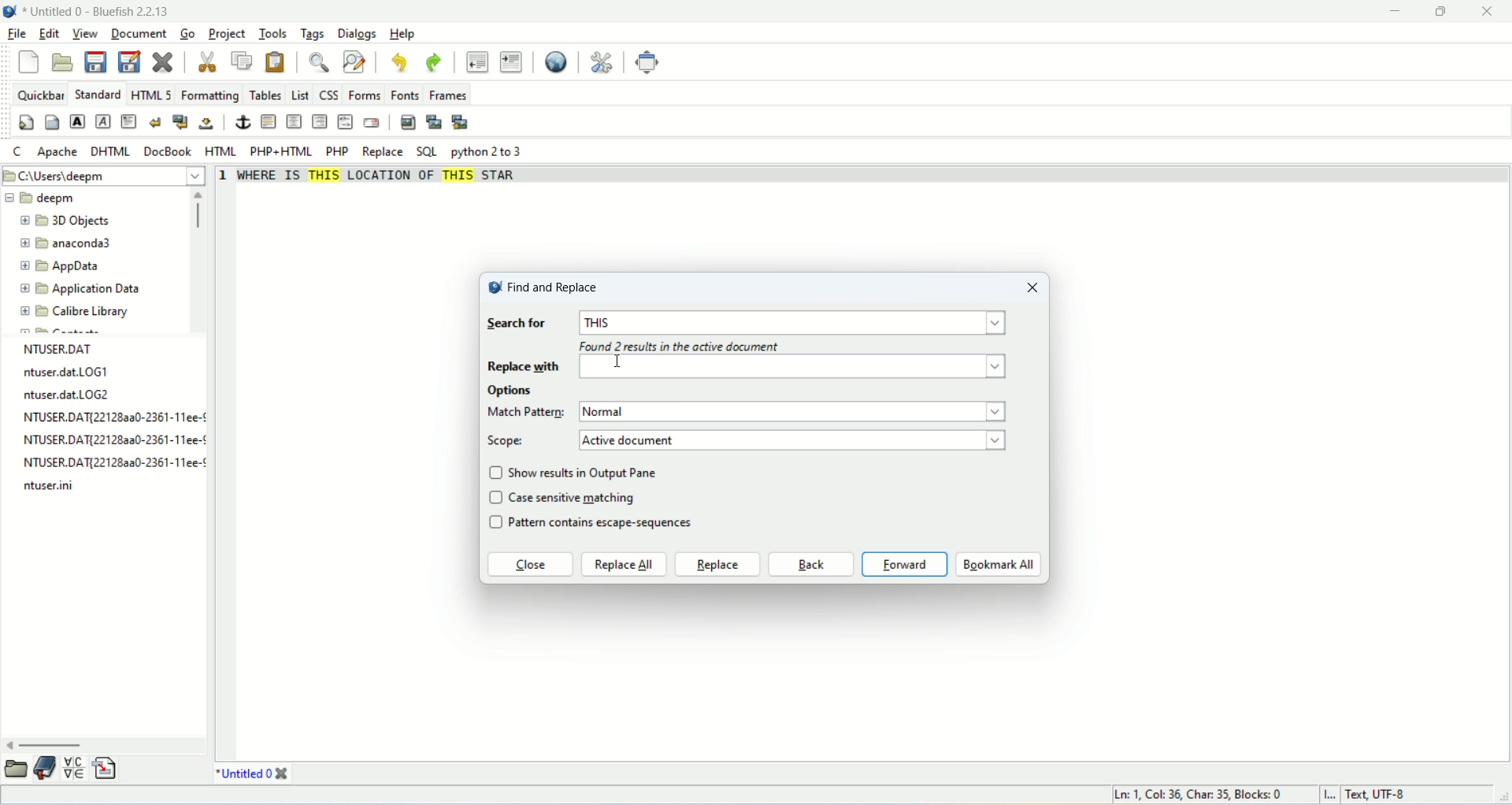 The height and width of the screenshot is (805, 1512). Describe the element at coordinates (209, 96) in the screenshot. I see `formatting` at that location.